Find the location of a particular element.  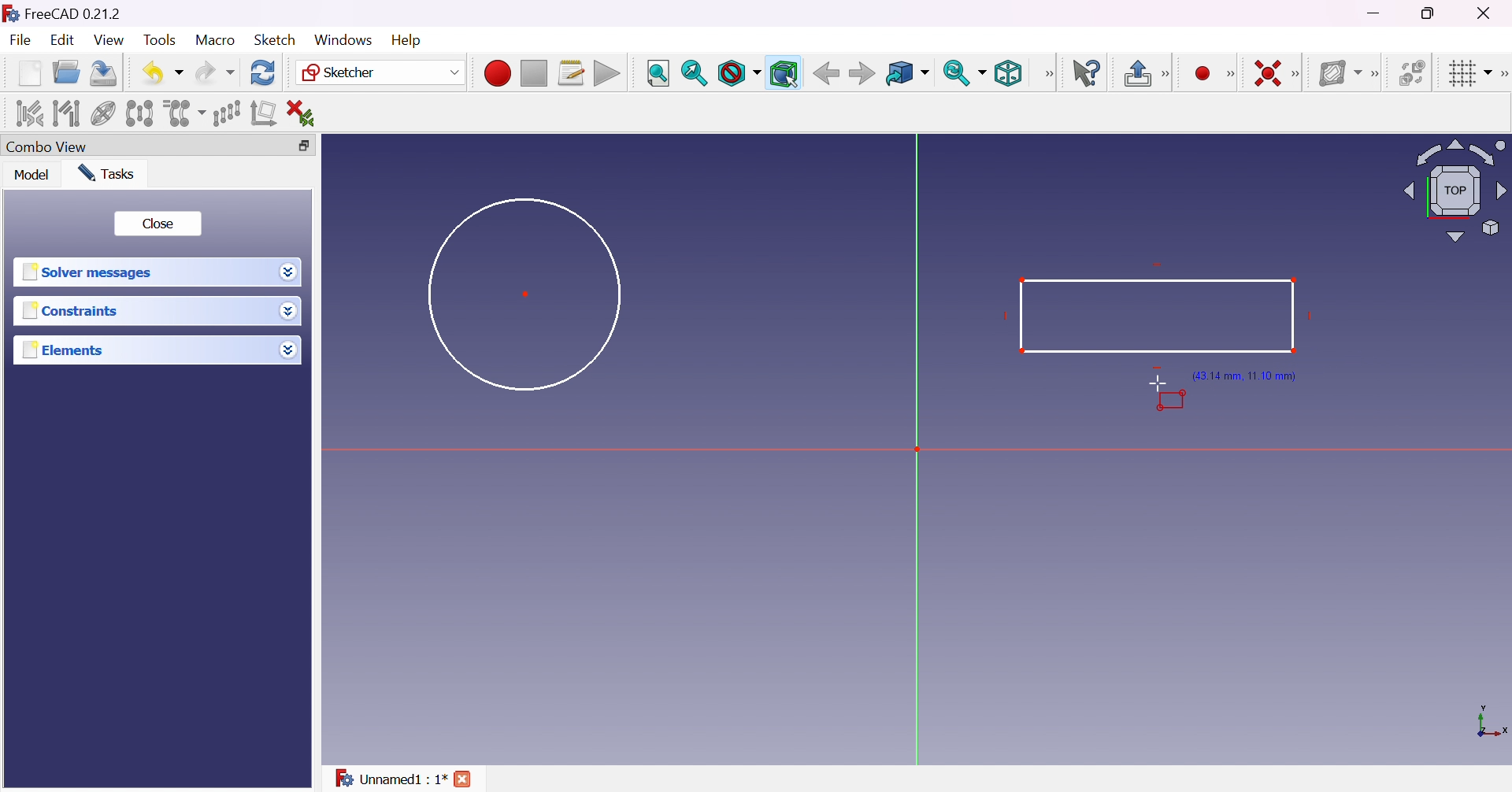

Tasks is located at coordinates (106, 172).